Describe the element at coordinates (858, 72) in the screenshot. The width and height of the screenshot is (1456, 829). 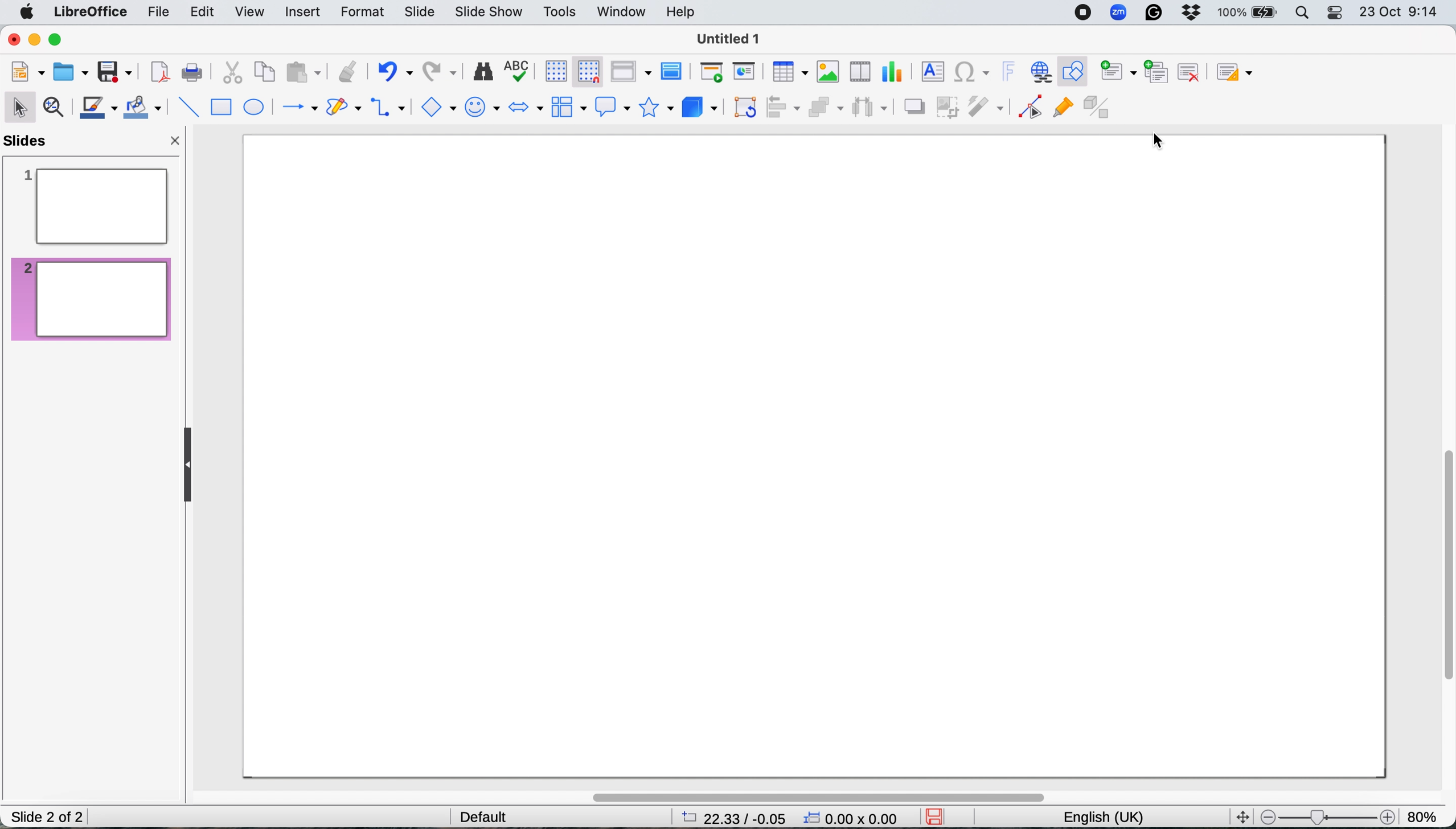
I see `insert audio or video` at that location.